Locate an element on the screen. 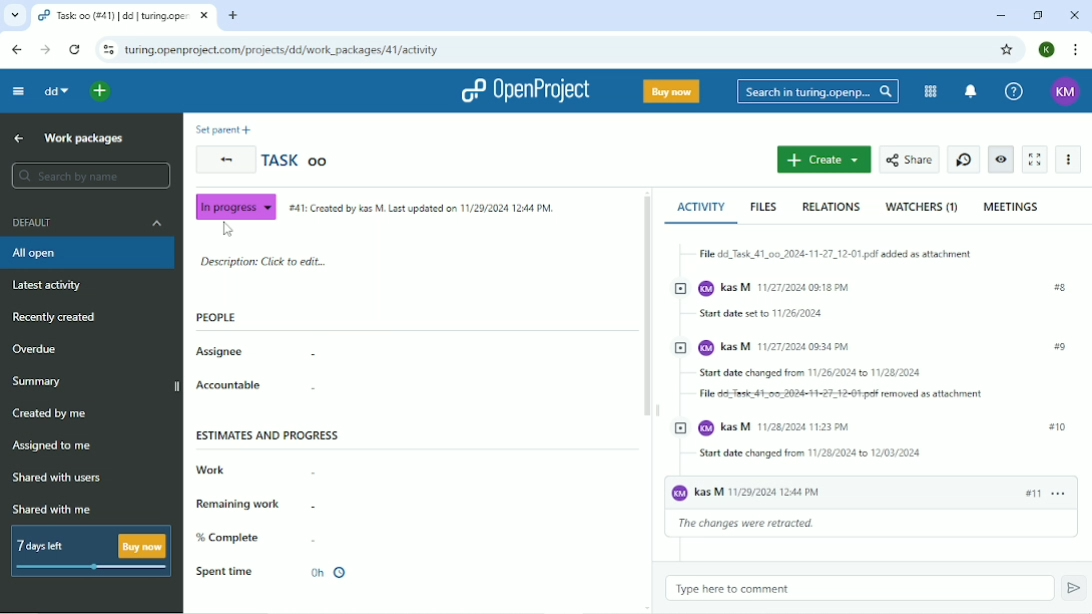 The image size is (1092, 614). Buy now is located at coordinates (670, 91).